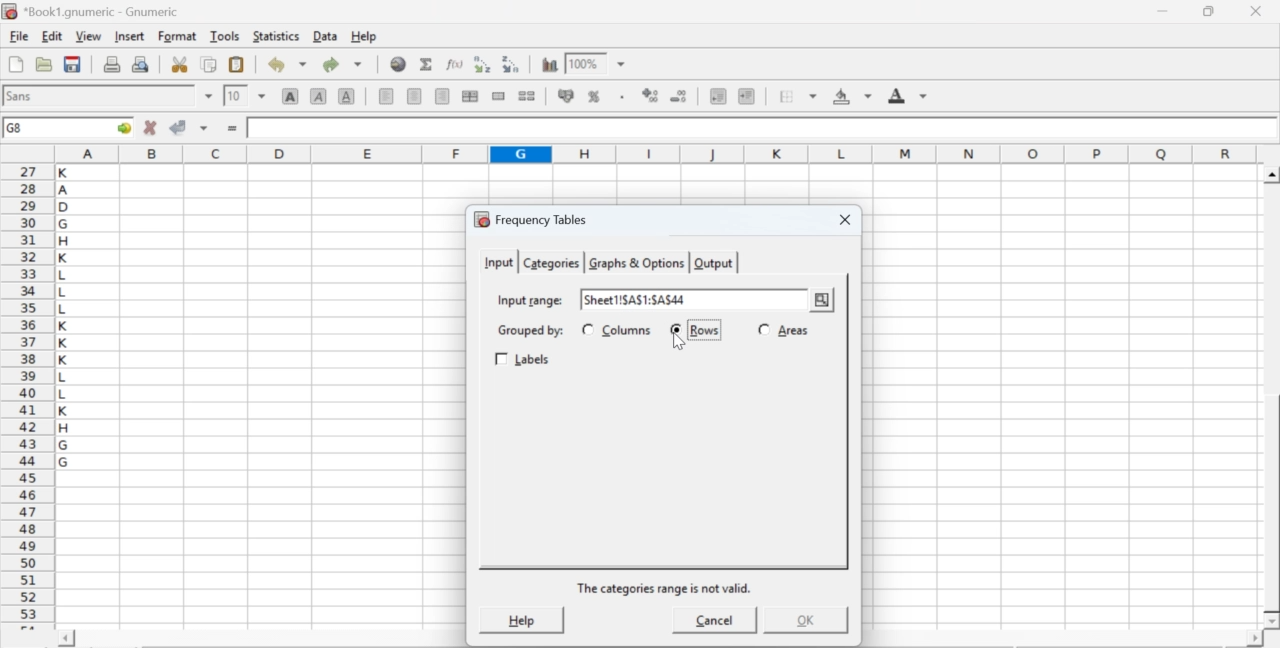 This screenshot has width=1280, height=648. Describe the element at coordinates (234, 129) in the screenshot. I see `enter formula` at that location.